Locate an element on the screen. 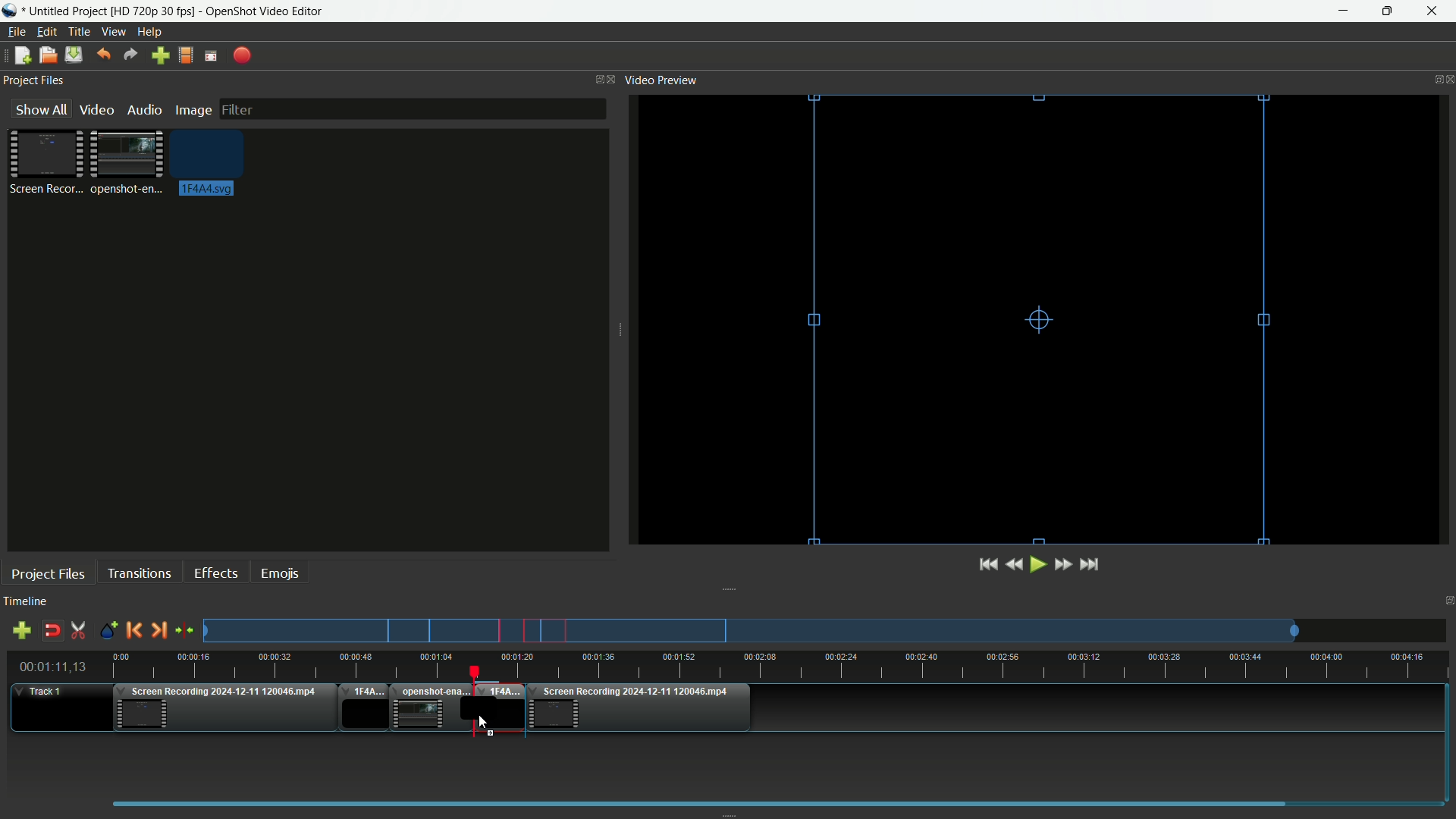  Quickly play backward is located at coordinates (1018, 564).